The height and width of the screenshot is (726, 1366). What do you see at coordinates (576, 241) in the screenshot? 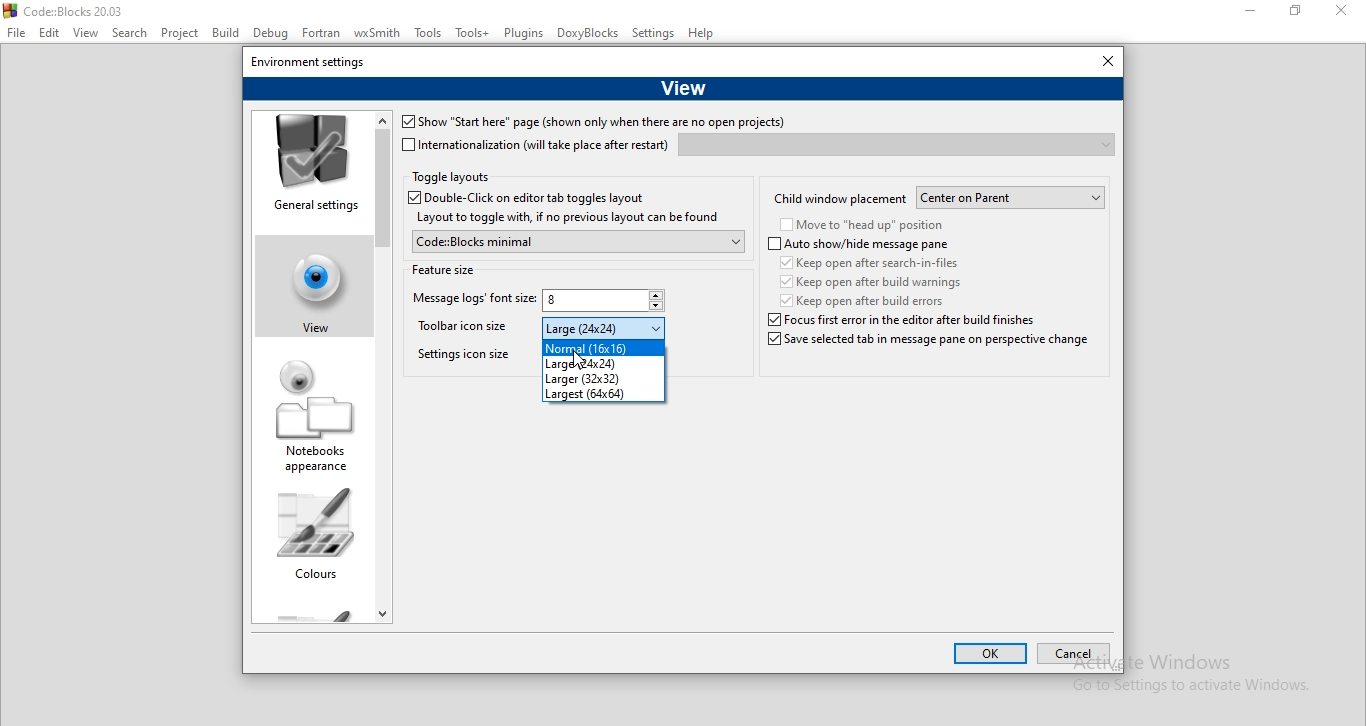
I see `Code:Blocks minimal` at bounding box center [576, 241].